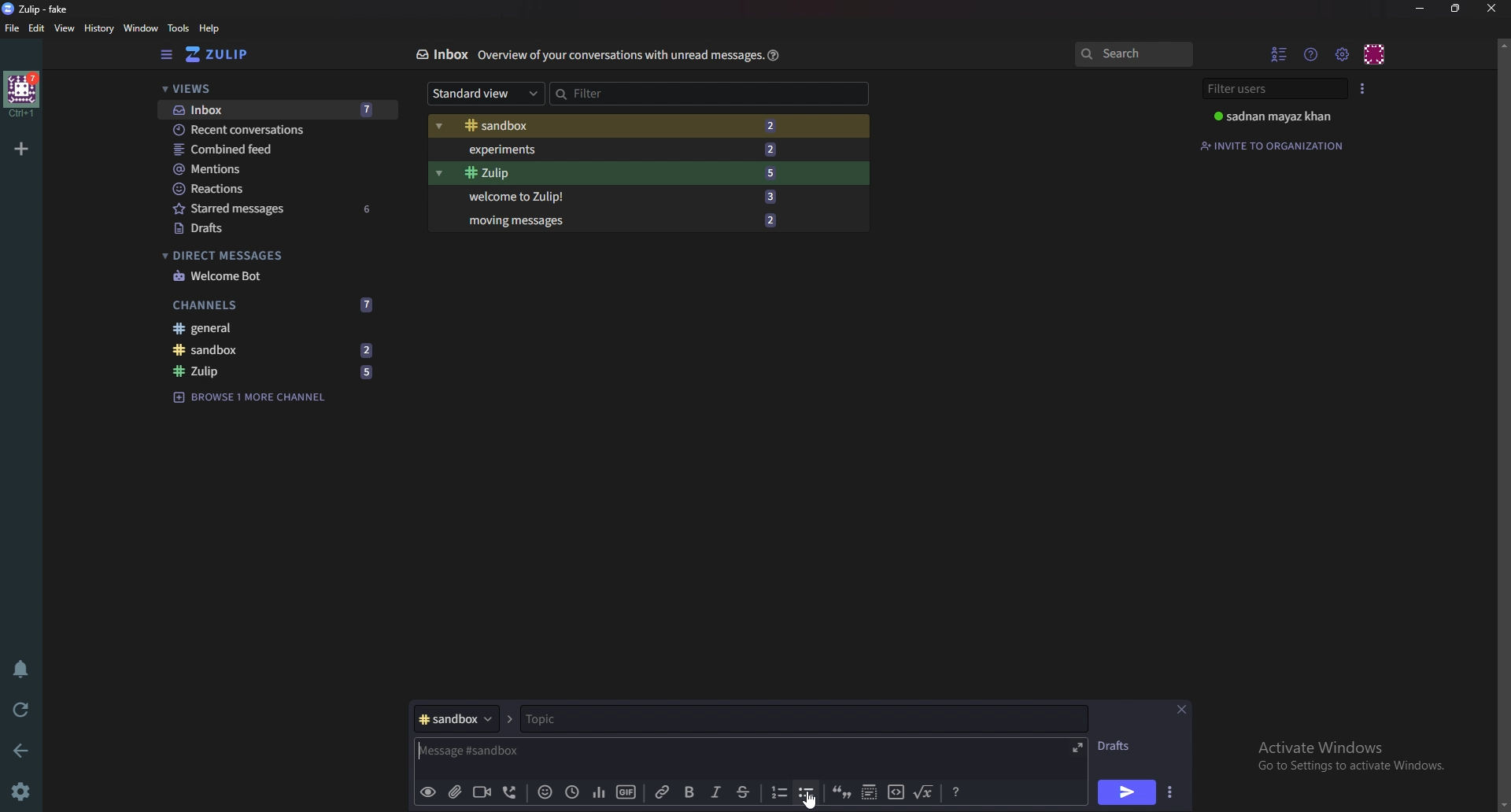 Image resolution: width=1511 pixels, height=812 pixels. I want to click on Filter users, so click(1277, 89).